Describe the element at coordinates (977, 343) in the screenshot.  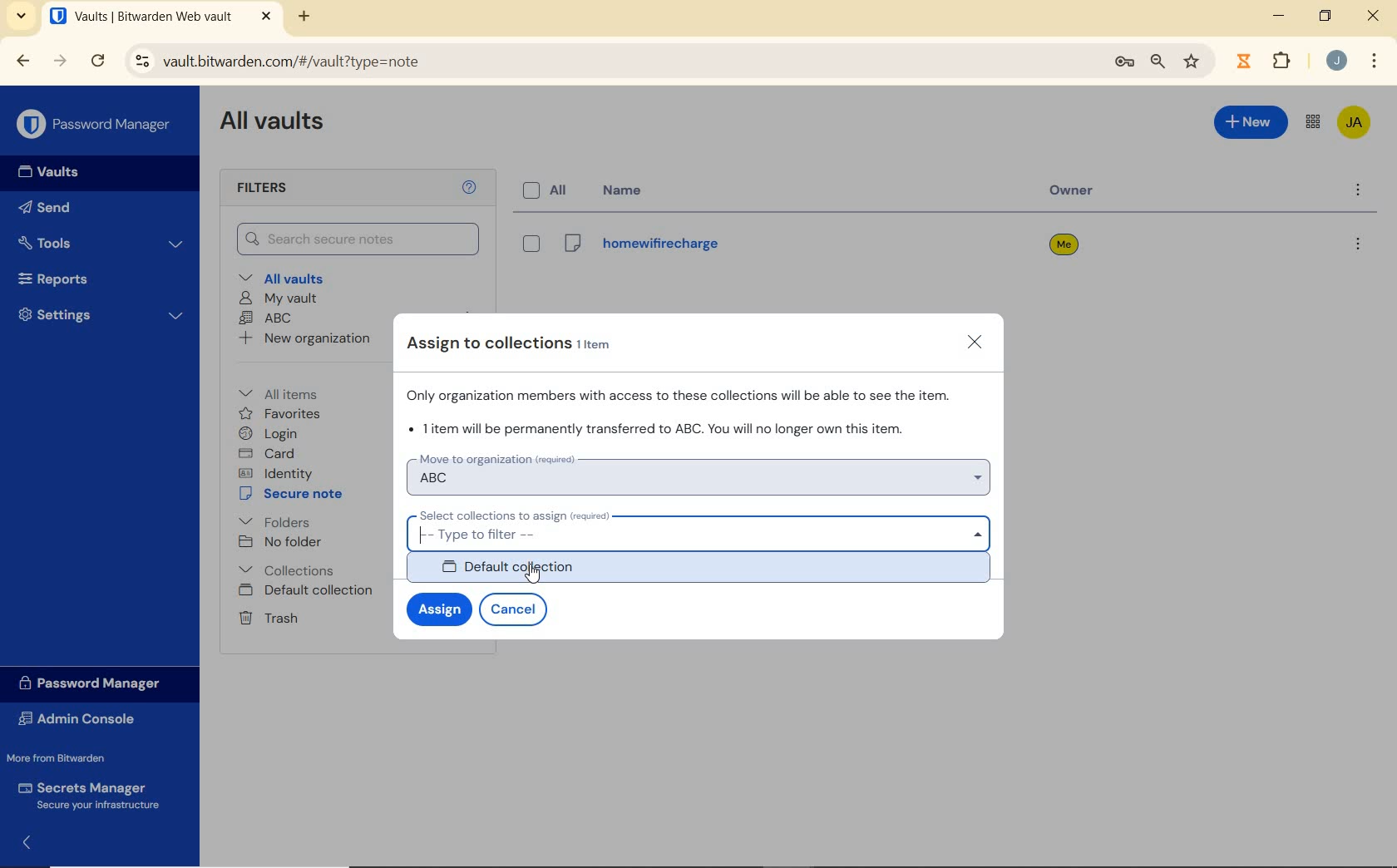
I see `close` at that location.